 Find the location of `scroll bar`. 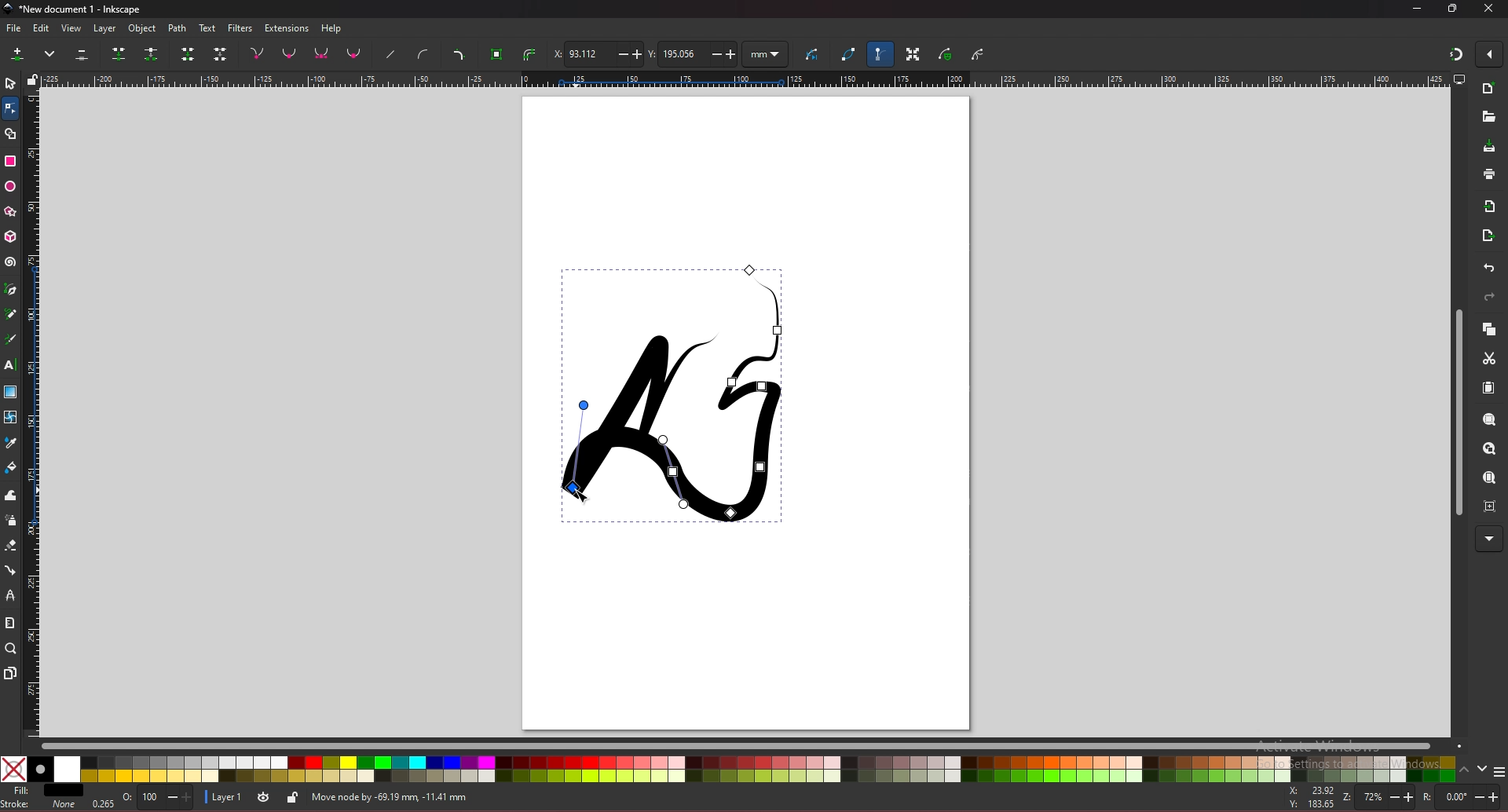

scroll bar is located at coordinates (1456, 411).